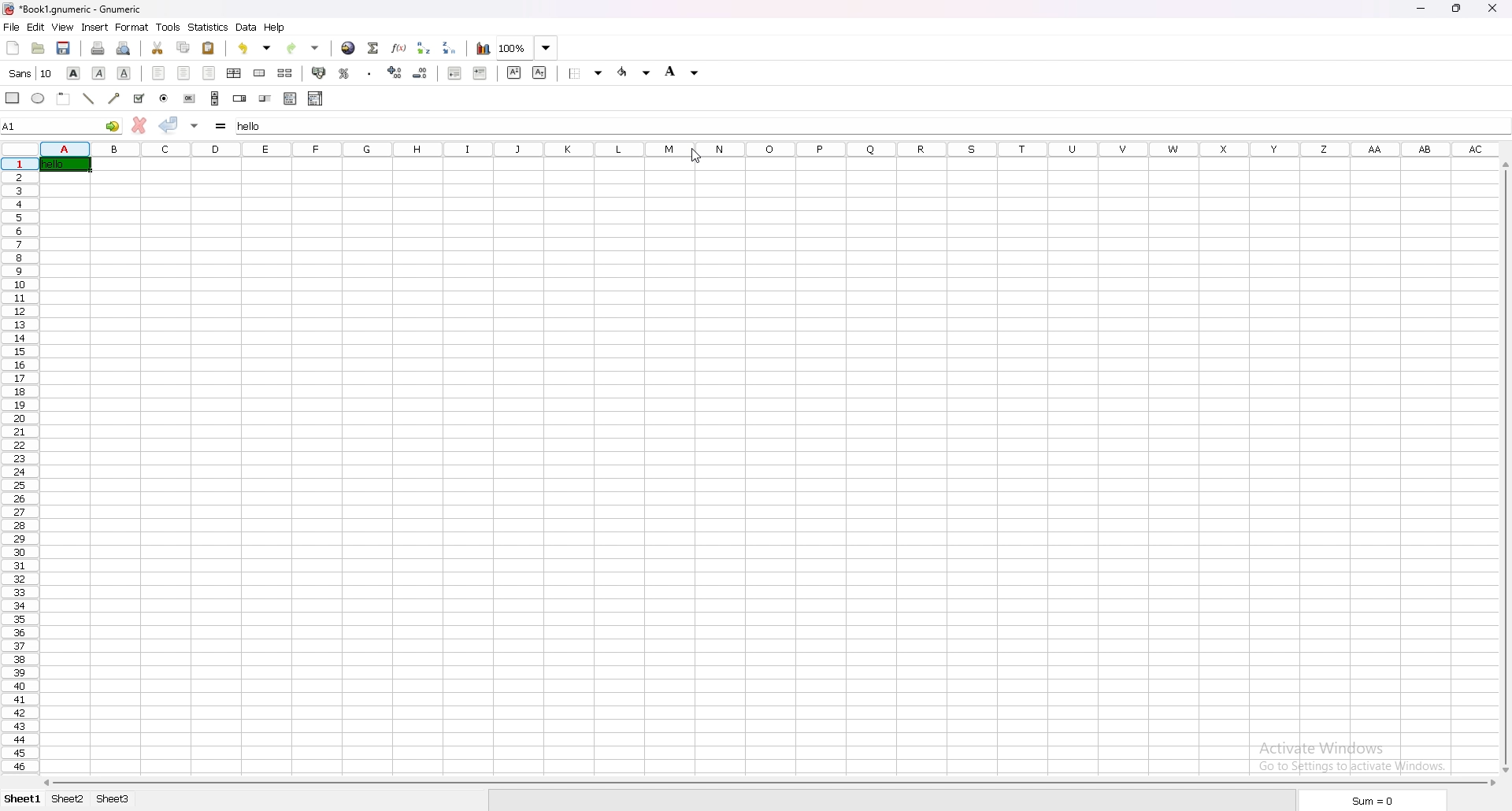 The height and width of the screenshot is (811, 1512). Describe the element at coordinates (247, 27) in the screenshot. I see `data` at that location.